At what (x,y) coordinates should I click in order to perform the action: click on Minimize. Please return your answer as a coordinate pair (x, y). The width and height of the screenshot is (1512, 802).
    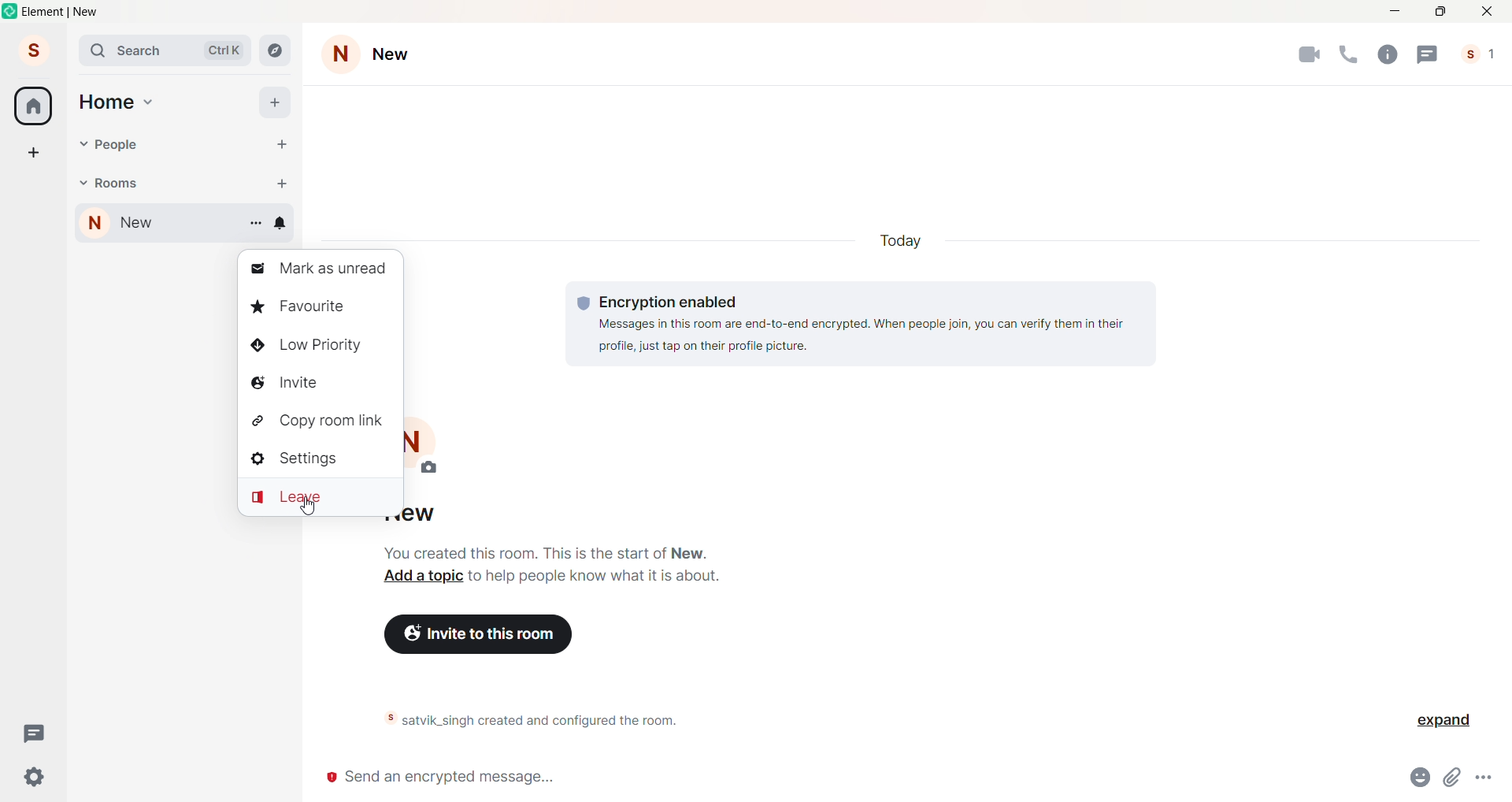
    Looking at the image, I should click on (1397, 12).